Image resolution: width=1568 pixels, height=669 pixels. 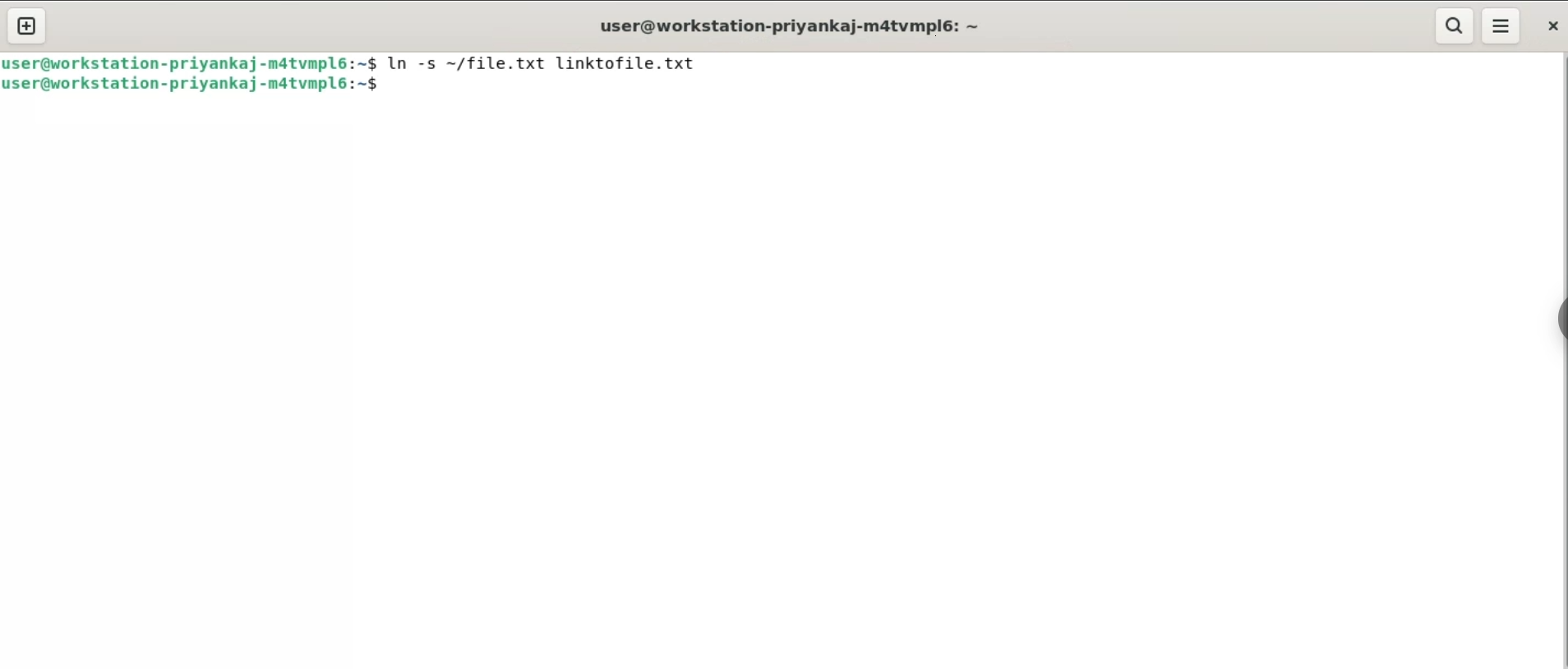 I want to click on menu, so click(x=1502, y=25).